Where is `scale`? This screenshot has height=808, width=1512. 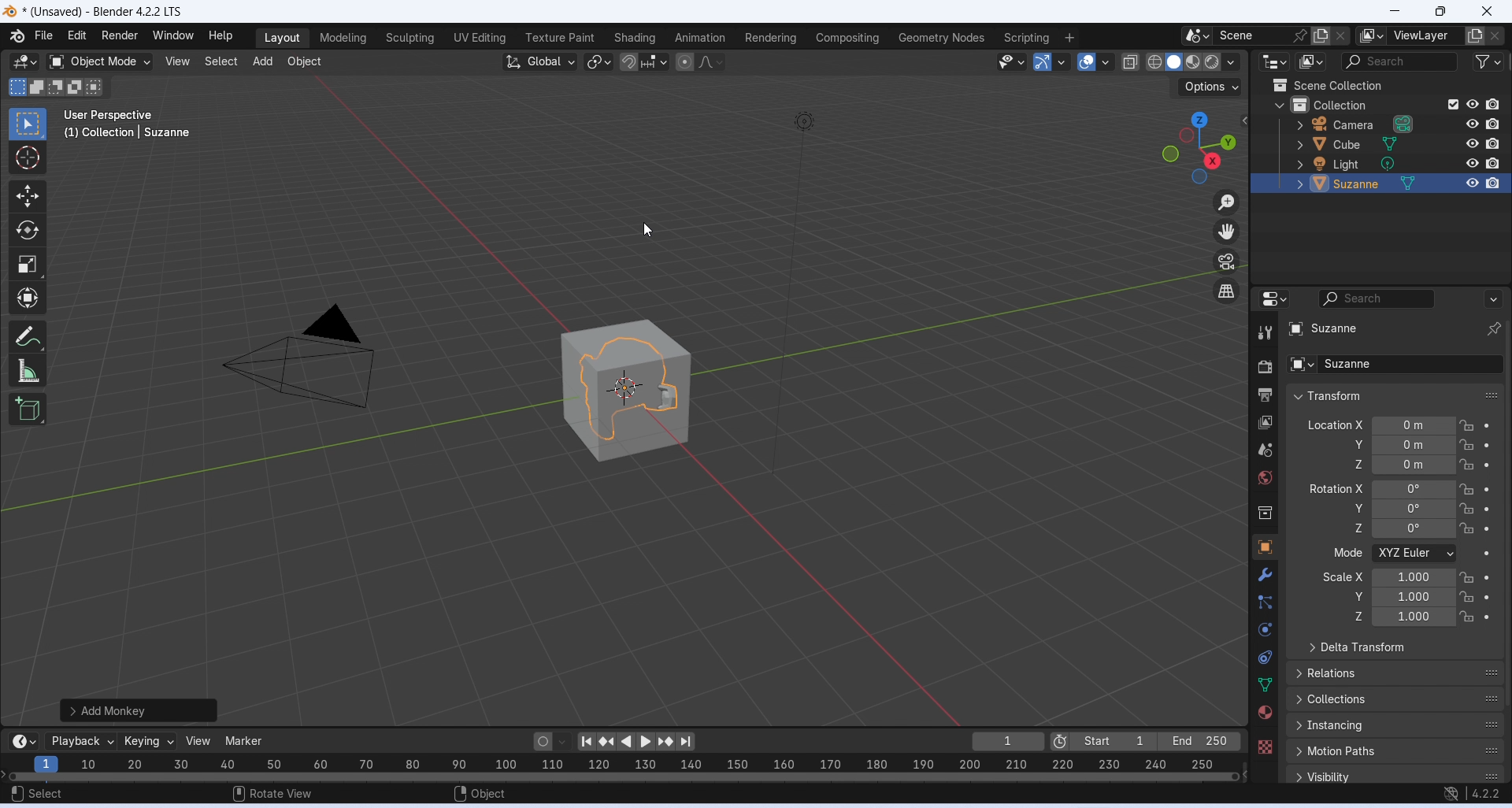
scale is located at coordinates (620, 766).